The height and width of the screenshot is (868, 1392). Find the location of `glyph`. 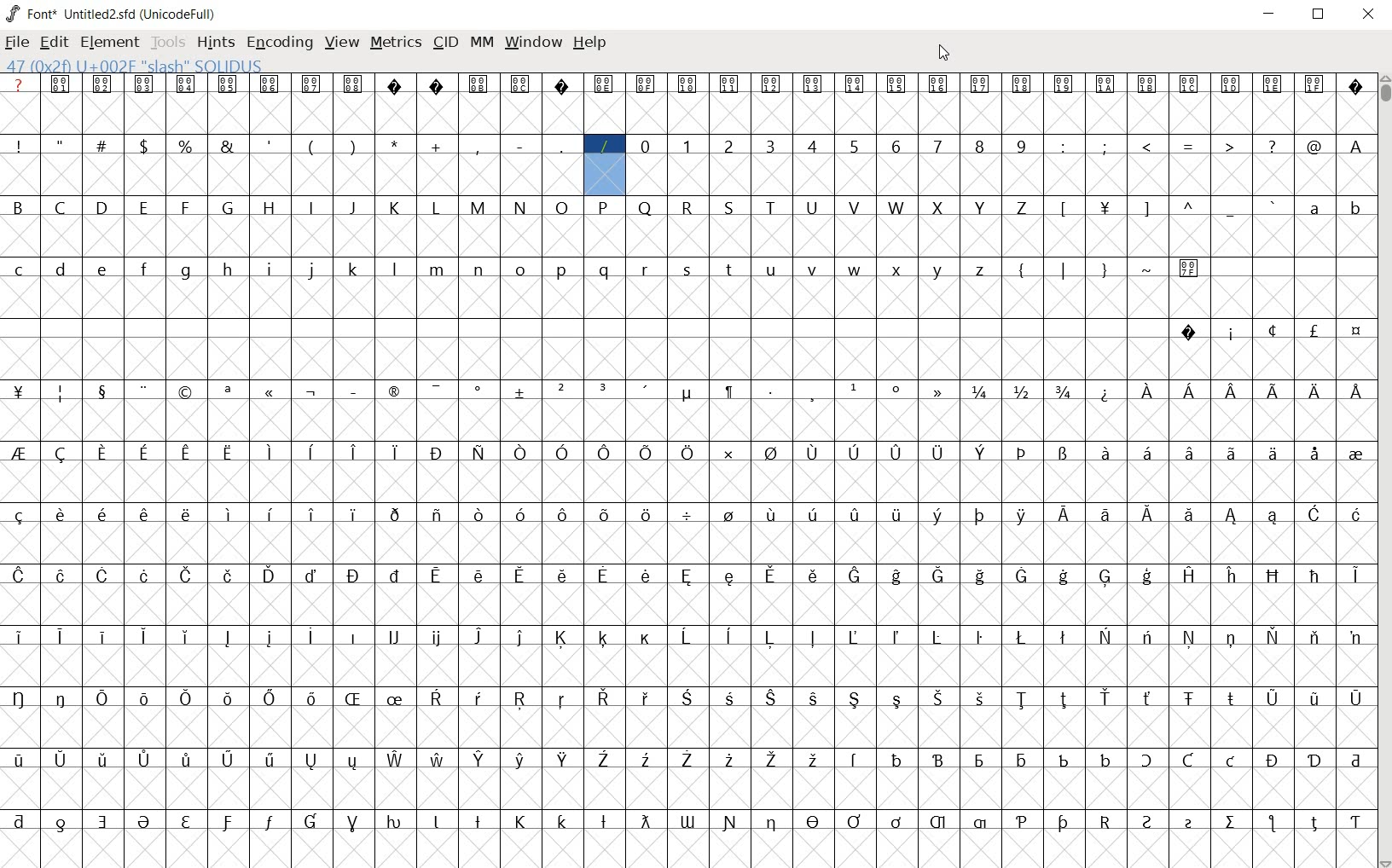

glyph is located at coordinates (184, 272).